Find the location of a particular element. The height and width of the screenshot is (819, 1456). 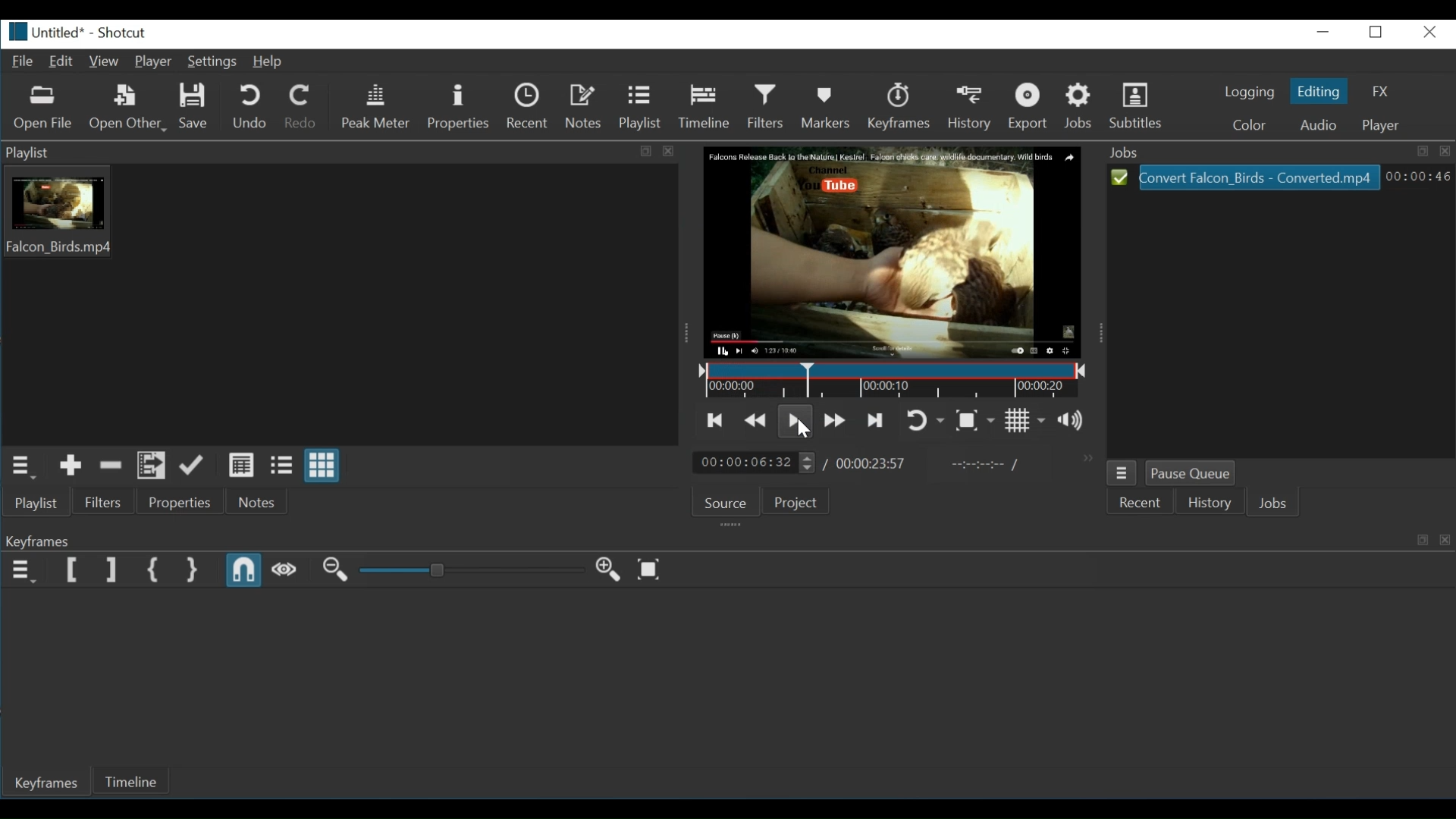

Zoom keyframes to fit is located at coordinates (647, 570).